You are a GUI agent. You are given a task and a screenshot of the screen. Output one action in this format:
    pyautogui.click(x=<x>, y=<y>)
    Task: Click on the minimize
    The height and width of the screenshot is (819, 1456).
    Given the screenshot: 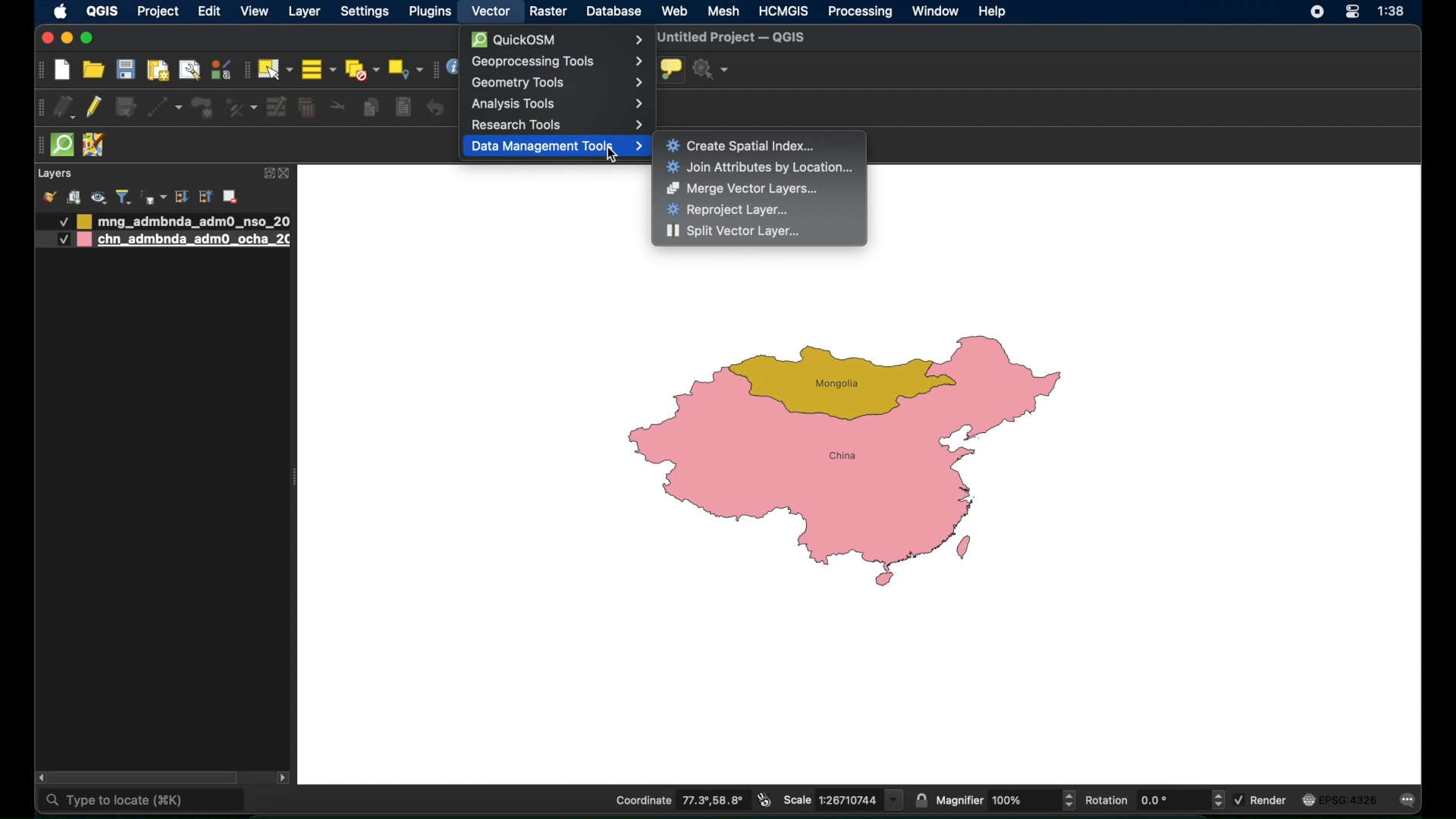 What is the action you would take?
    pyautogui.click(x=67, y=39)
    